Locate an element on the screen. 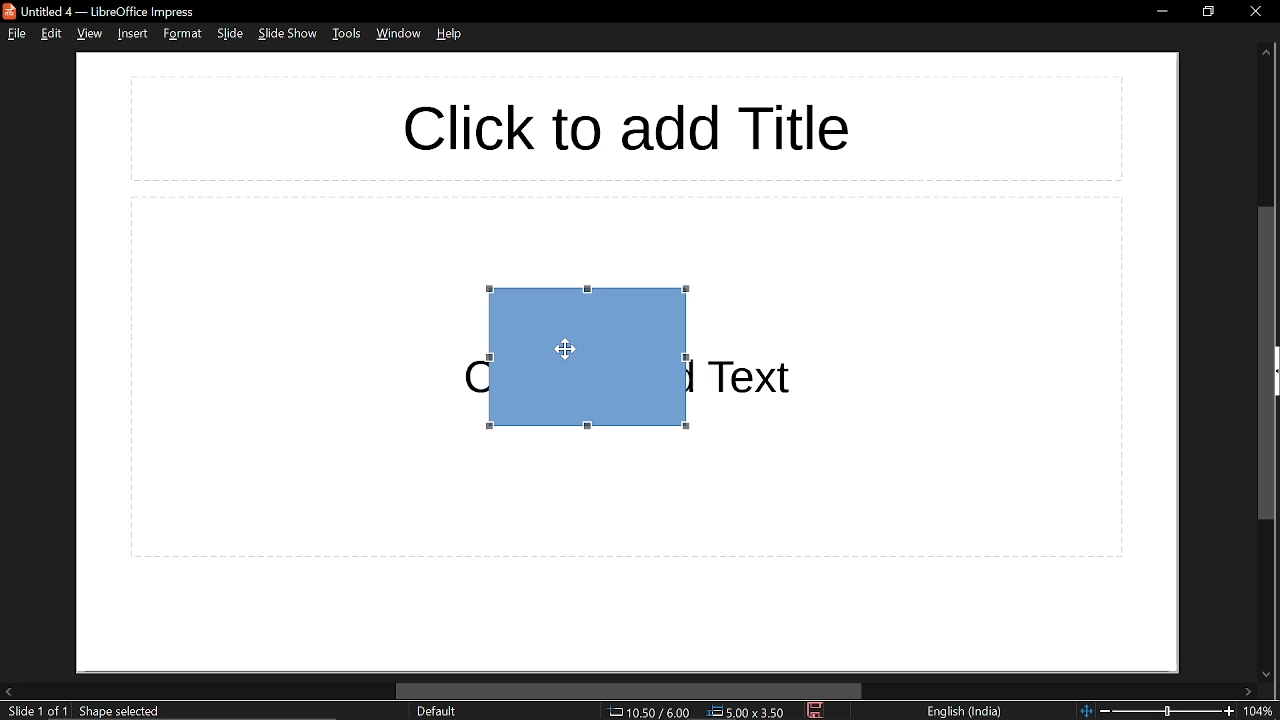 The width and height of the screenshot is (1280, 720). slide show is located at coordinates (286, 34).